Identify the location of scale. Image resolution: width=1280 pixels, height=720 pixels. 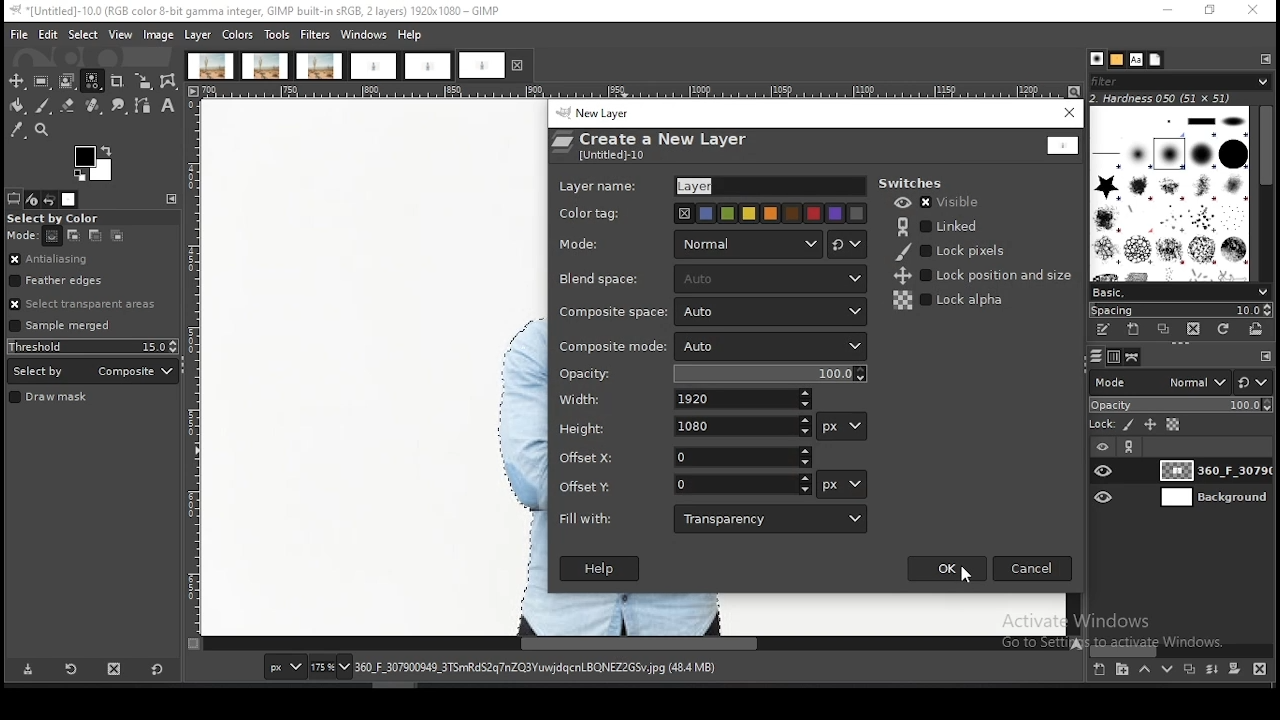
(637, 92).